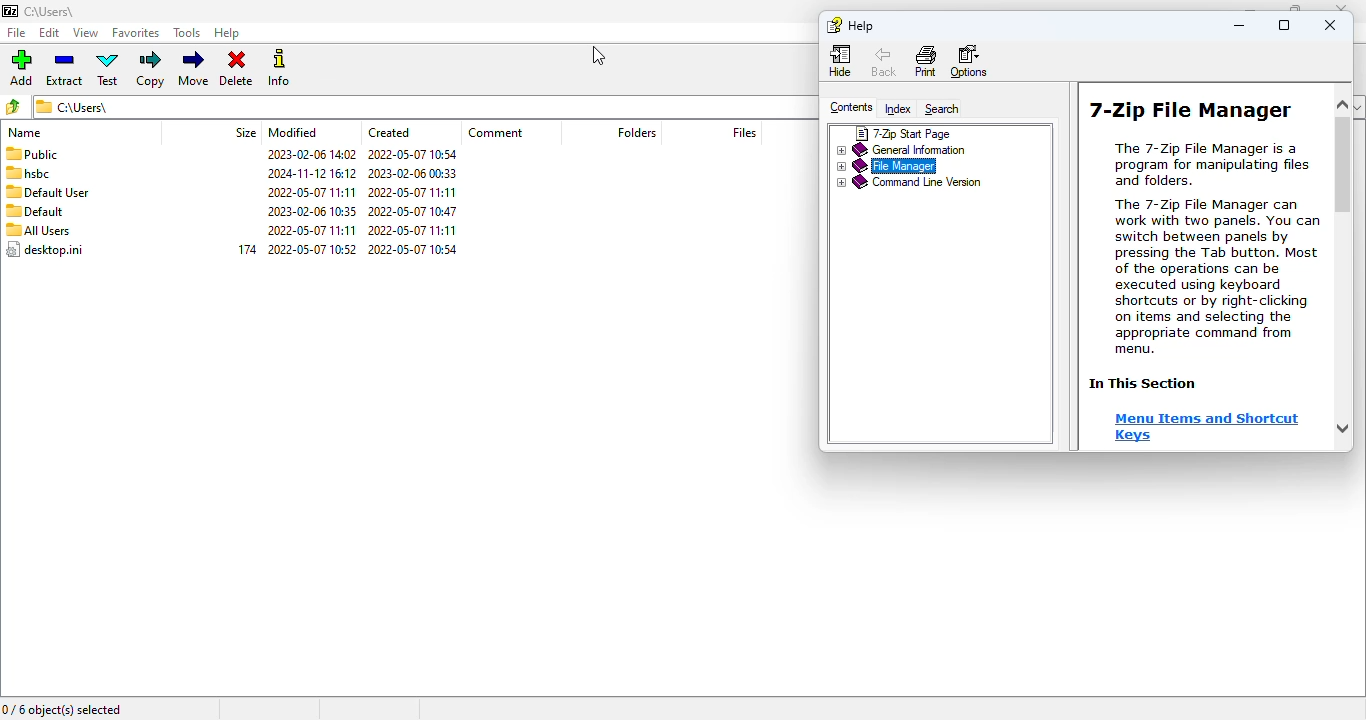  Describe the element at coordinates (1250, 11) in the screenshot. I see `minimize` at that location.